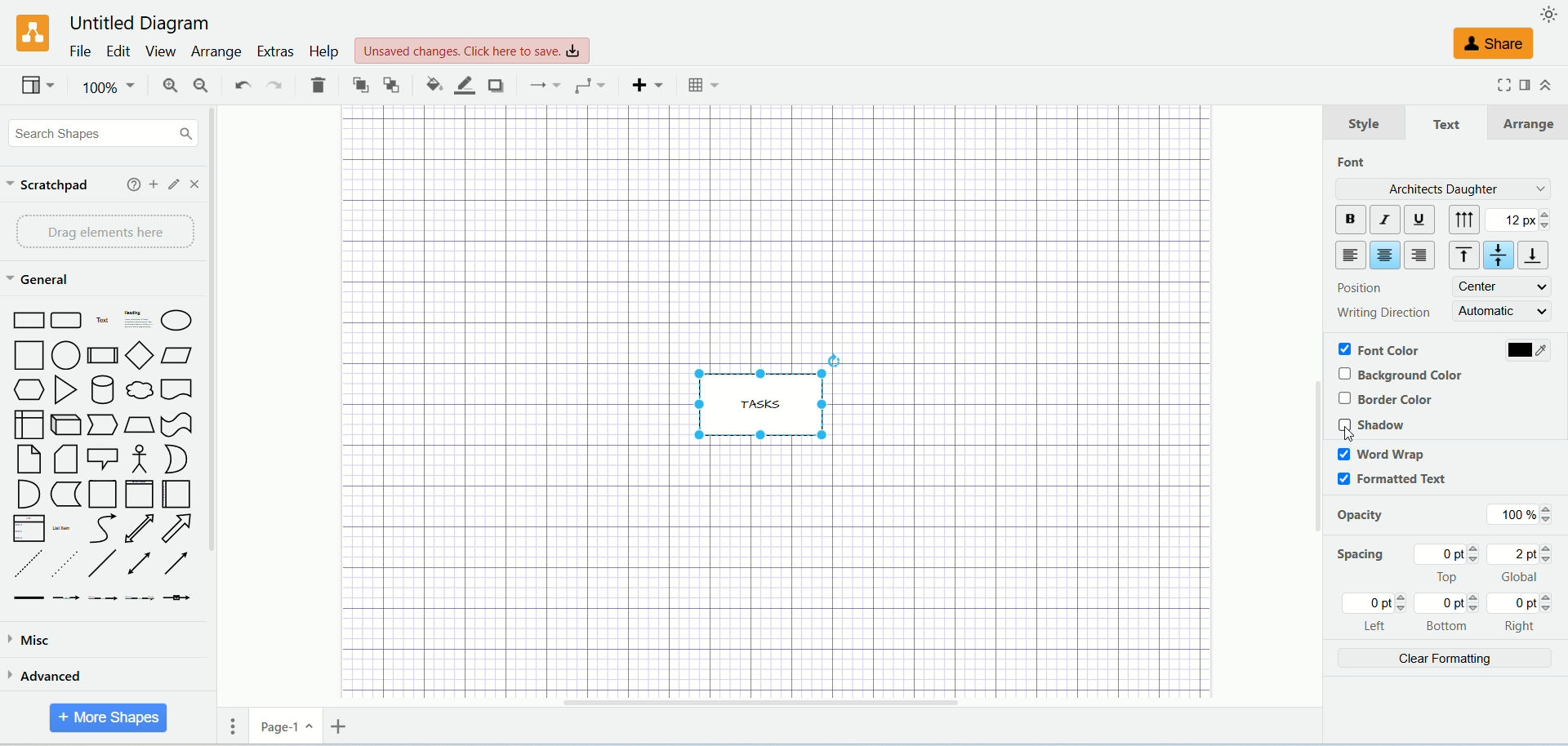  What do you see at coordinates (65, 390) in the screenshot?
I see `Triangle` at bounding box center [65, 390].